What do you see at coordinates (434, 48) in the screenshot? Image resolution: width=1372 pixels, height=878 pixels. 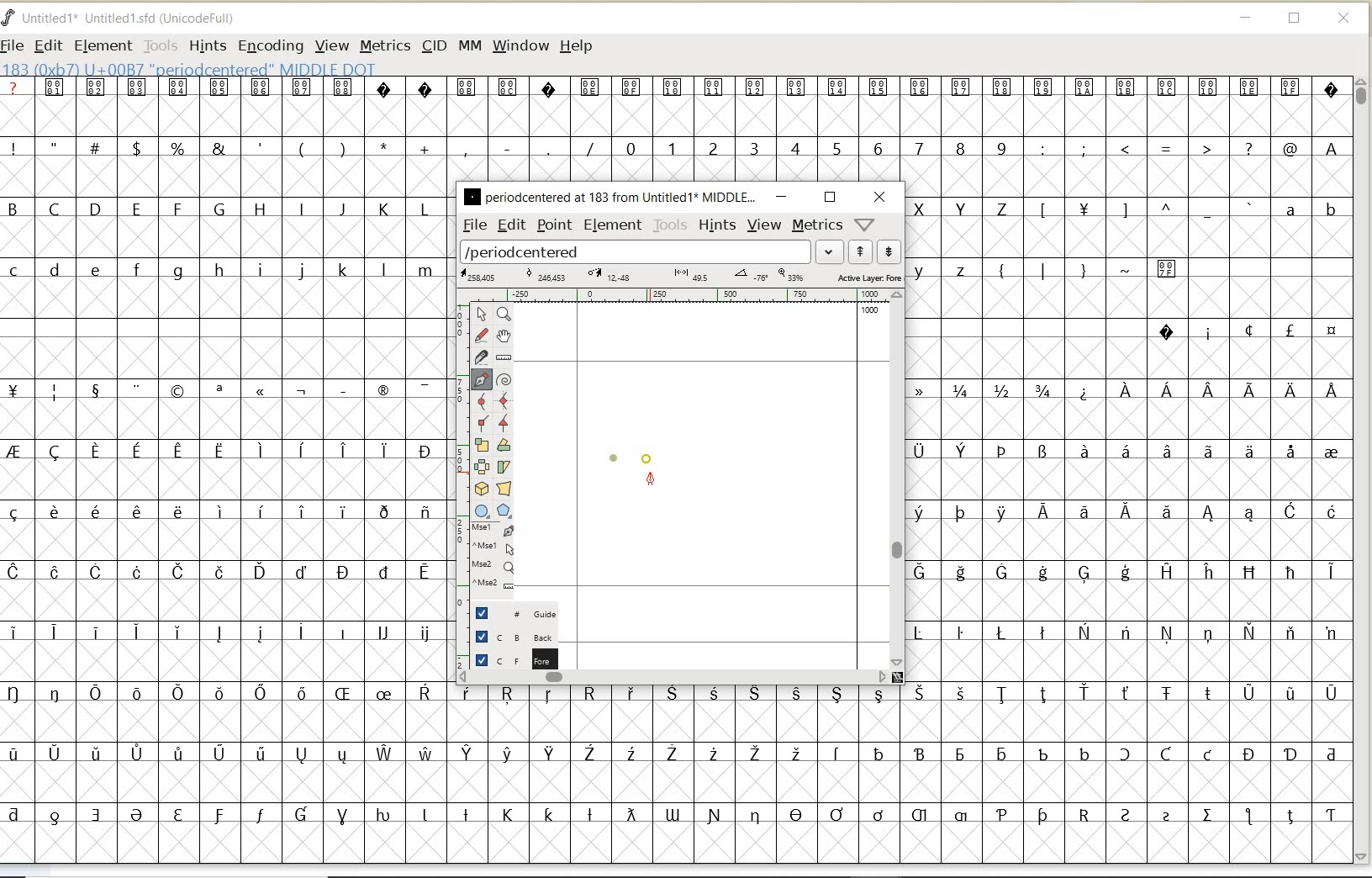 I see `CID` at bounding box center [434, 48].